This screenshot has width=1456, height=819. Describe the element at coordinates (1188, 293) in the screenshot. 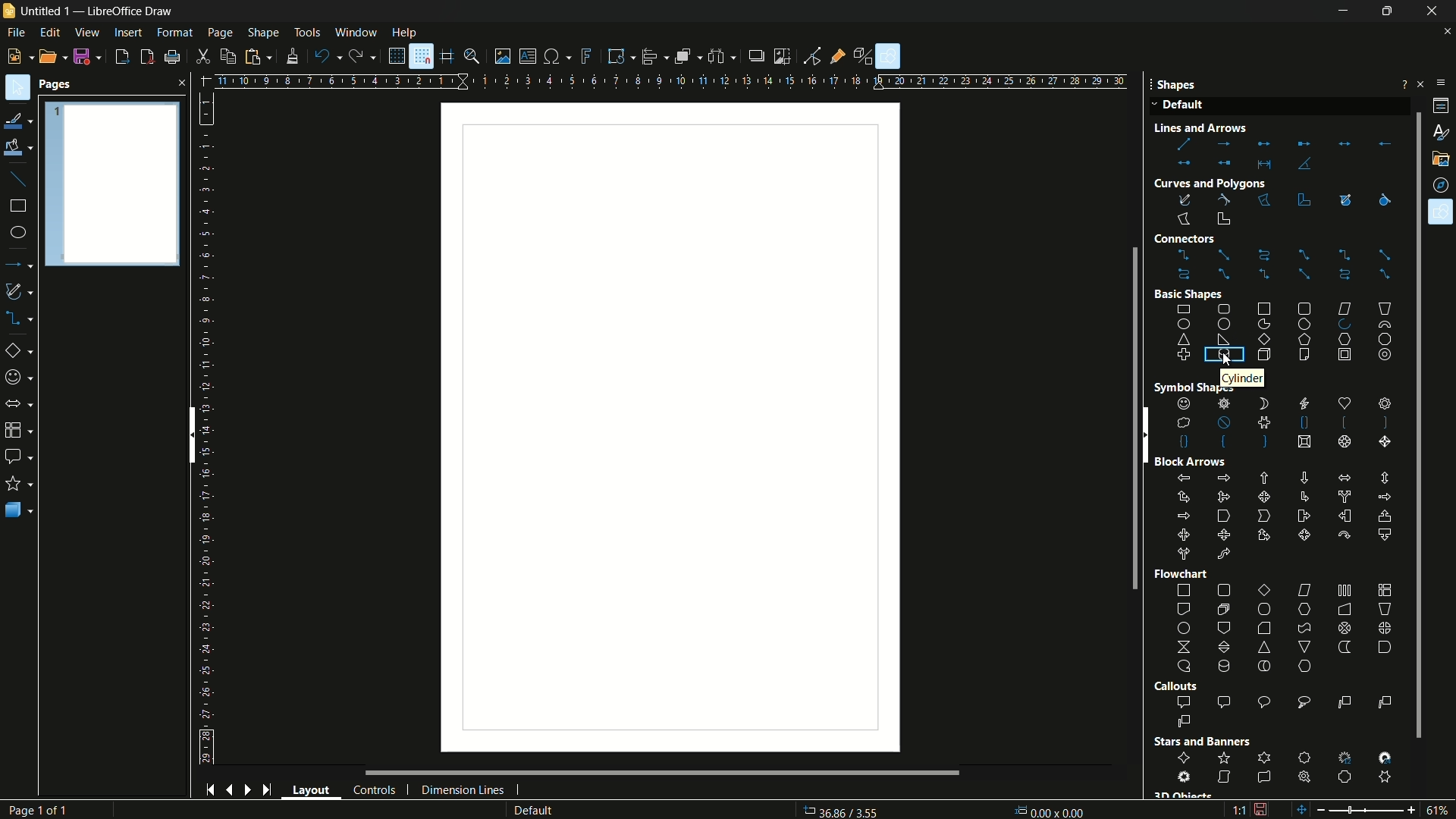

I see `Basic shape` at that location.